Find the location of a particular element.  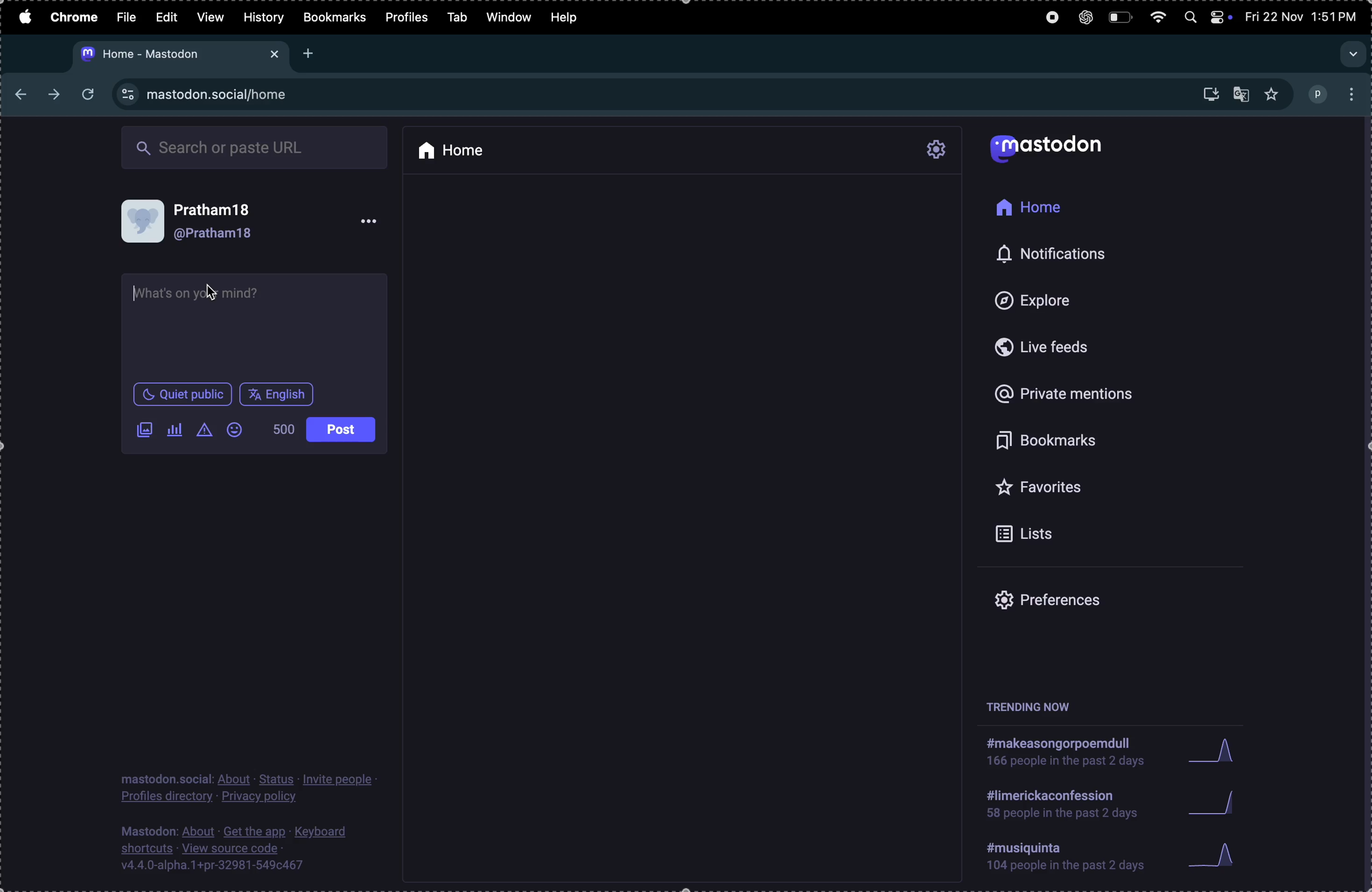

apple widgets is located at coordinates (1219, 18).